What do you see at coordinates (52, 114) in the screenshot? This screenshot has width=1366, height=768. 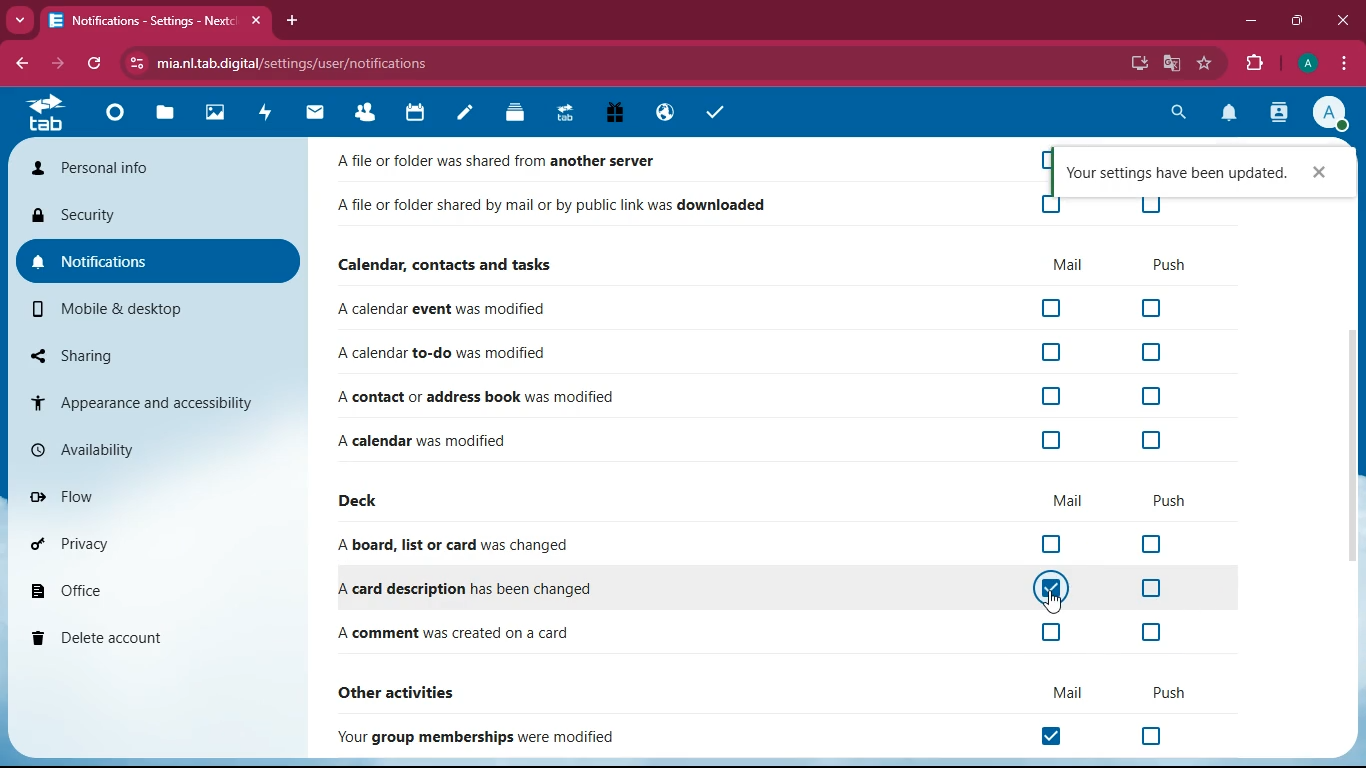 I see `tab` at bounding box center [52, 114].